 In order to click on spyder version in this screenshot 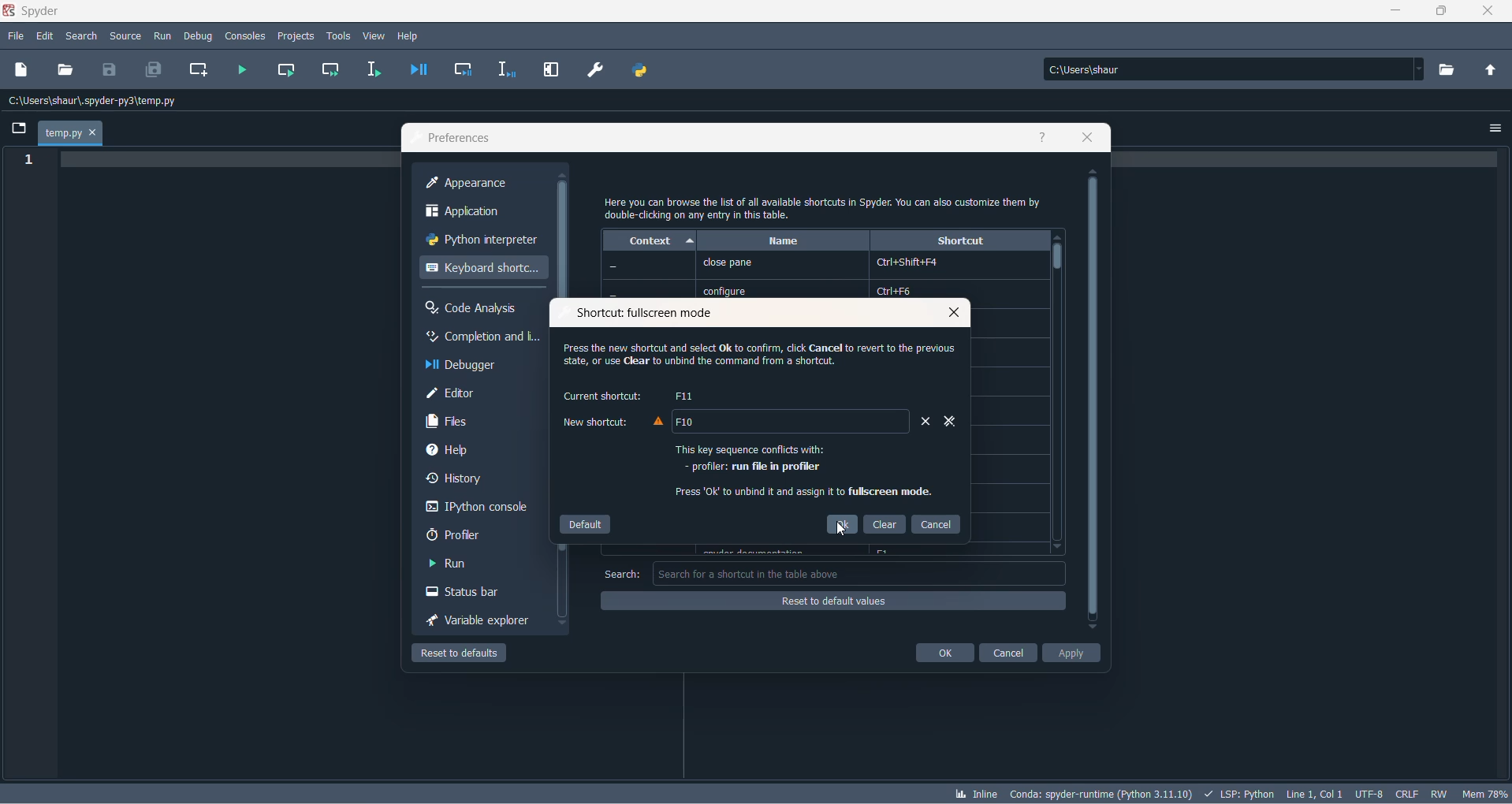, I will do `click(1104, 791)`.